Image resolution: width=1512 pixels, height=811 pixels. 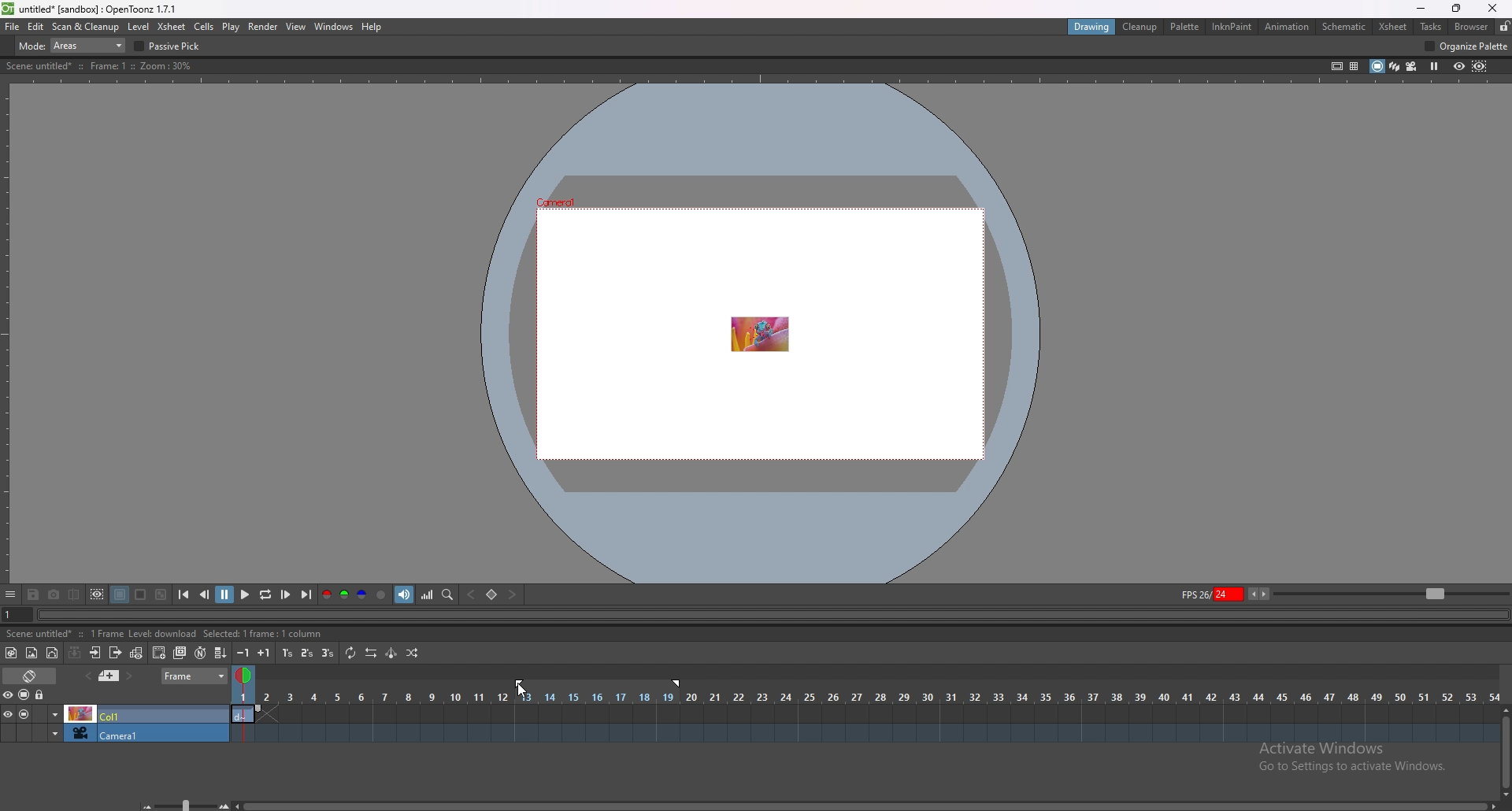 I want to click on snapshot, so click(x=54, y=595).